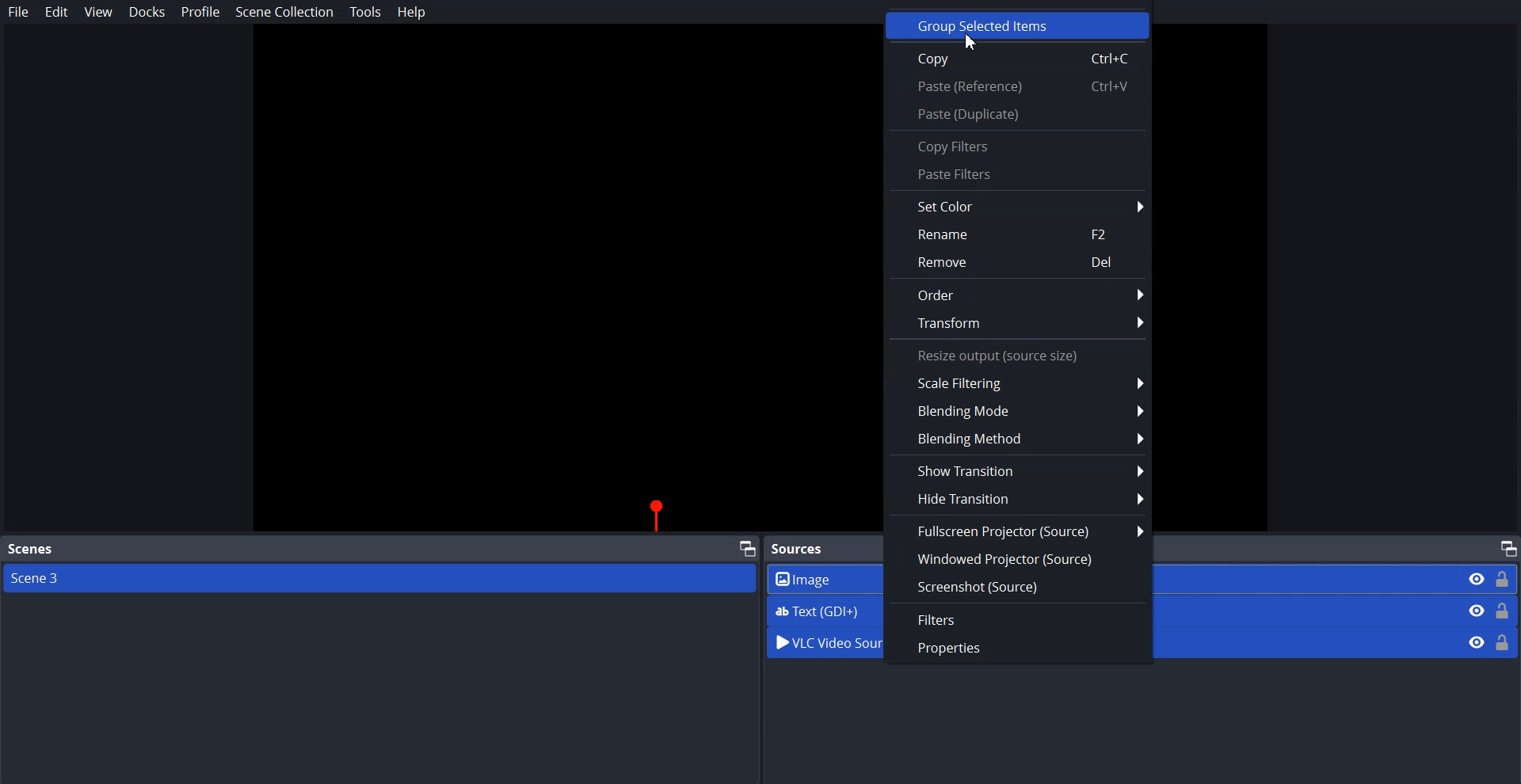 The height and width of the screenshot is (784, 1521). Describe the element at coordinates (1019, 412) in the screenshot. I see `Blending Mode` at that location.